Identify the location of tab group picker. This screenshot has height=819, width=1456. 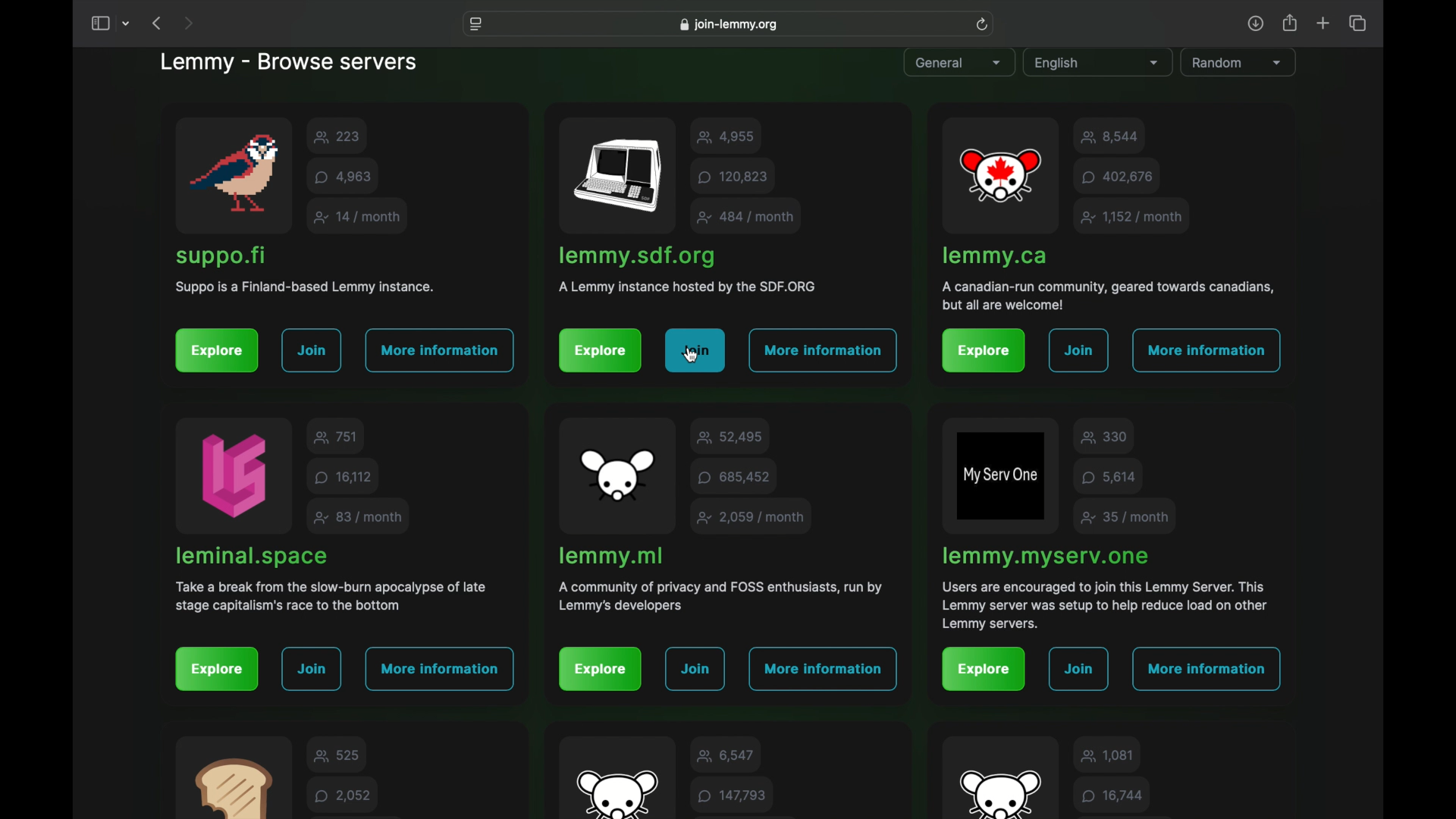
(127, 24).